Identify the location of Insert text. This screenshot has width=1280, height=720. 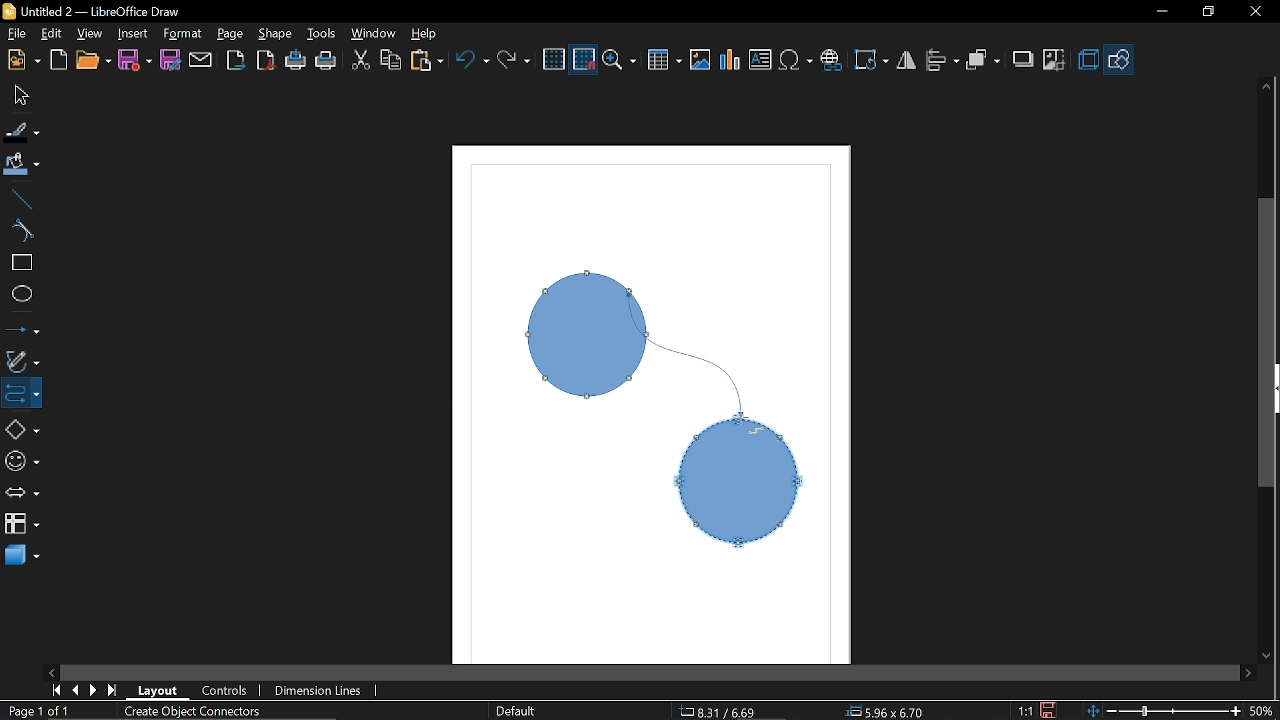
(762, 61).